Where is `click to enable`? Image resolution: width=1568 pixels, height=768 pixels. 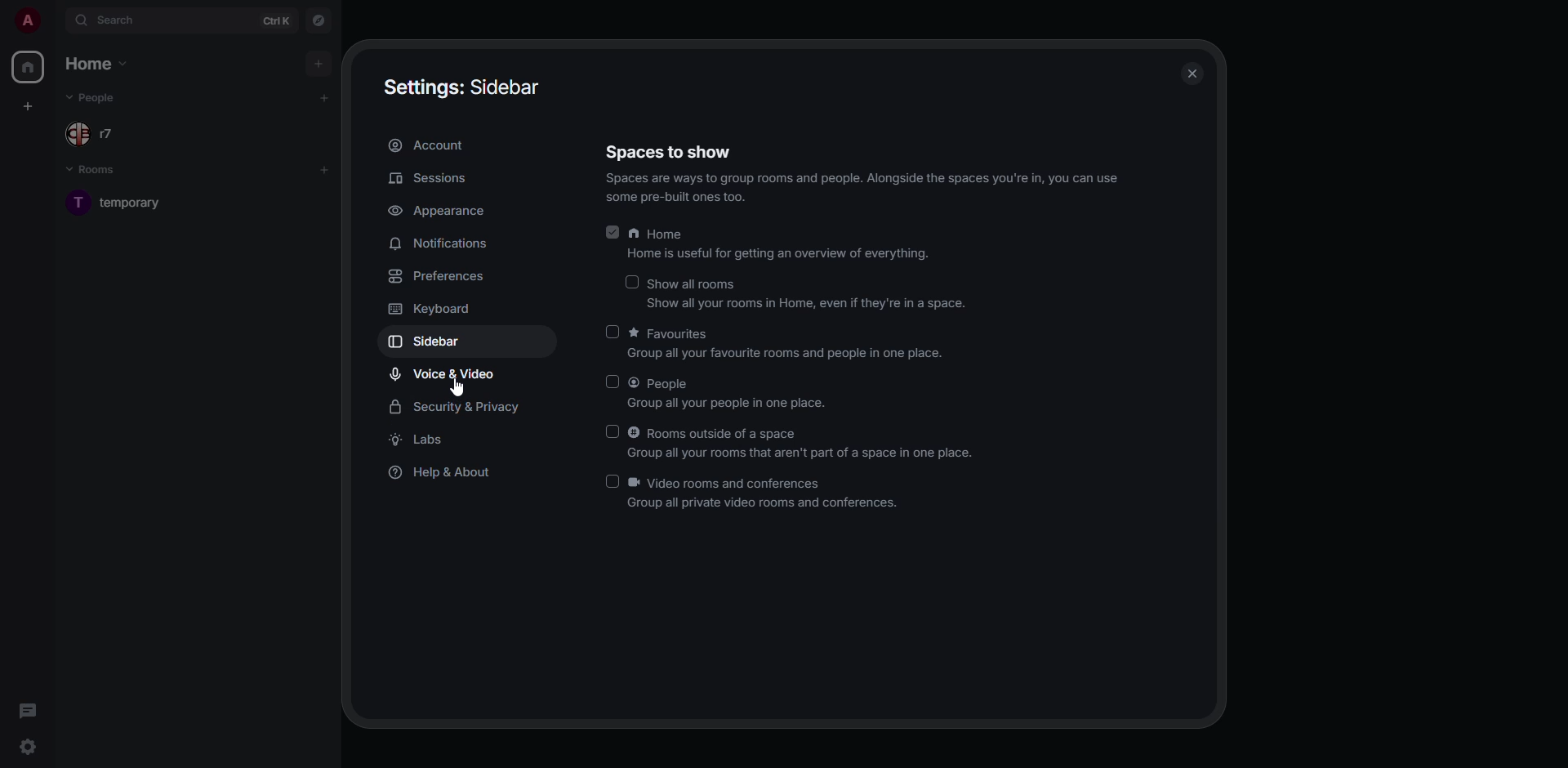 click to enable is located at coordinates (611, 480).